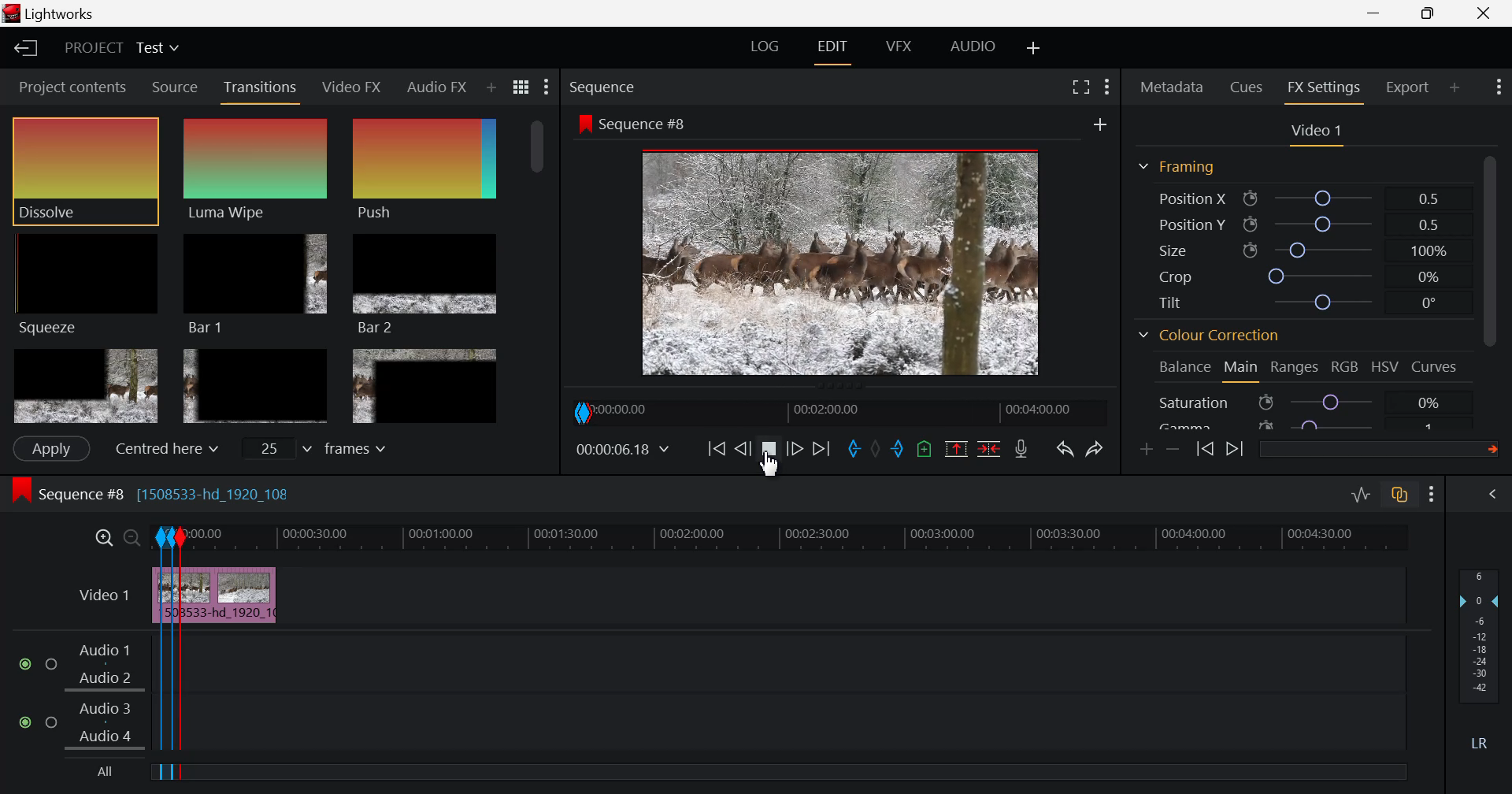  I want to click on Cues tab, so click(1247, 86).